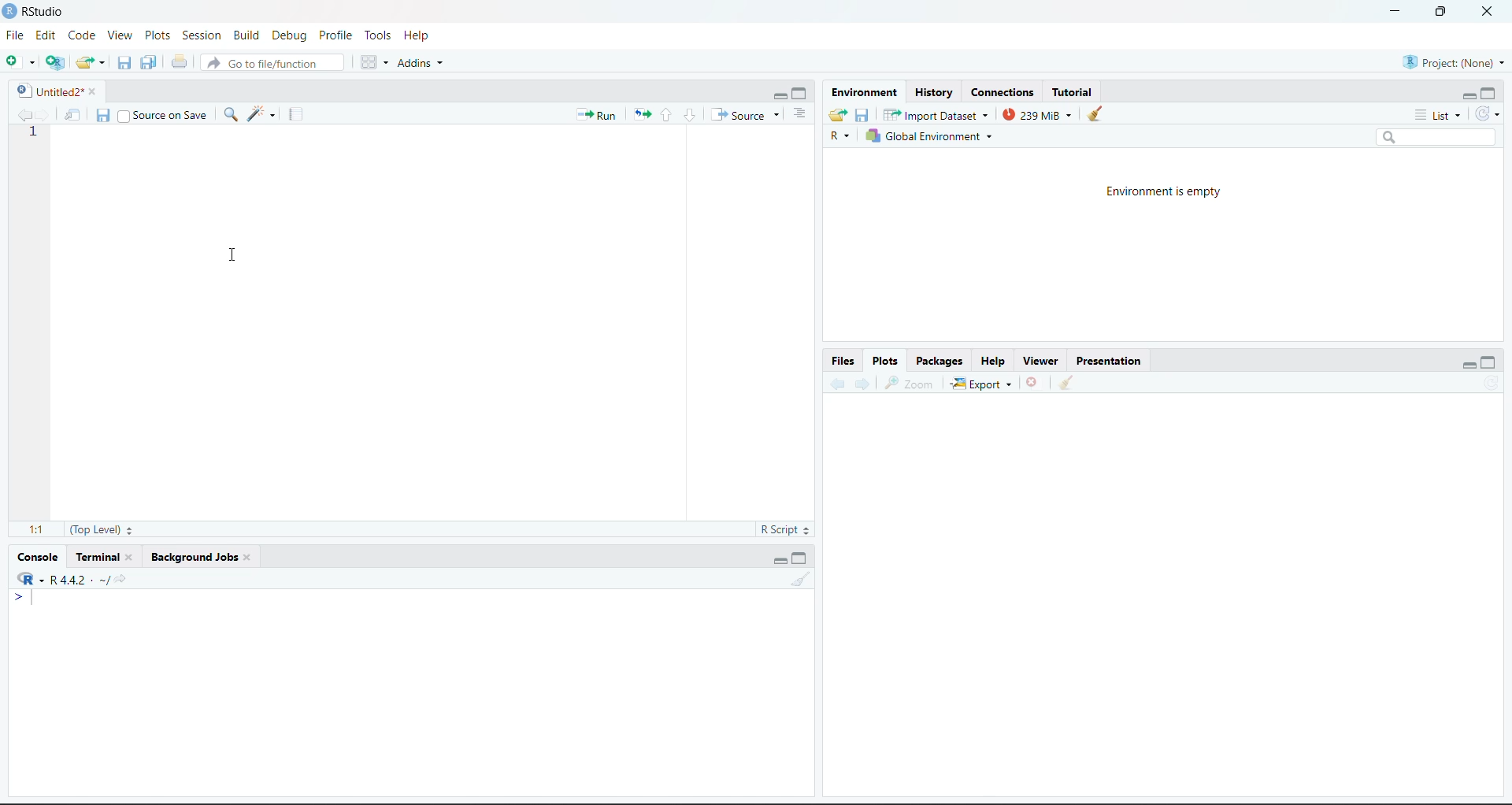  Describe the element at coordinates (35, 131) in the screenshot. I see `1` at that location.